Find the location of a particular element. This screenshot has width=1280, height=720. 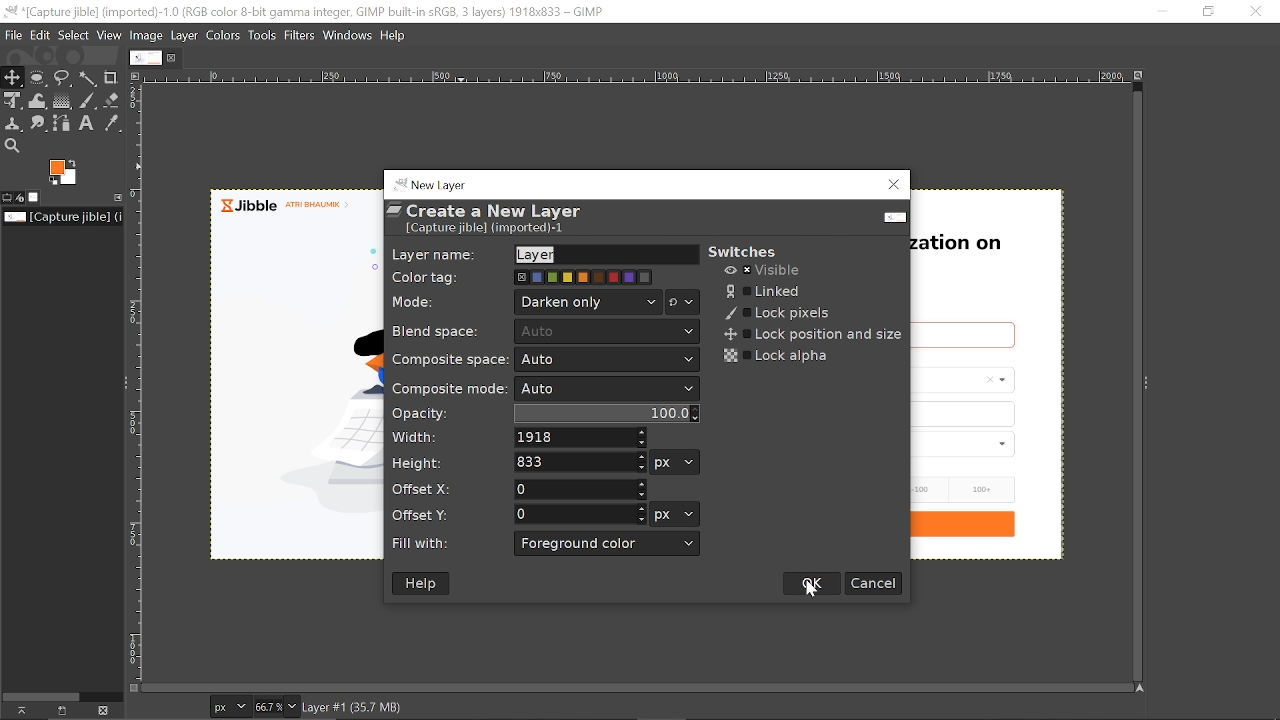

Colors is located at coordinates (224, 35).